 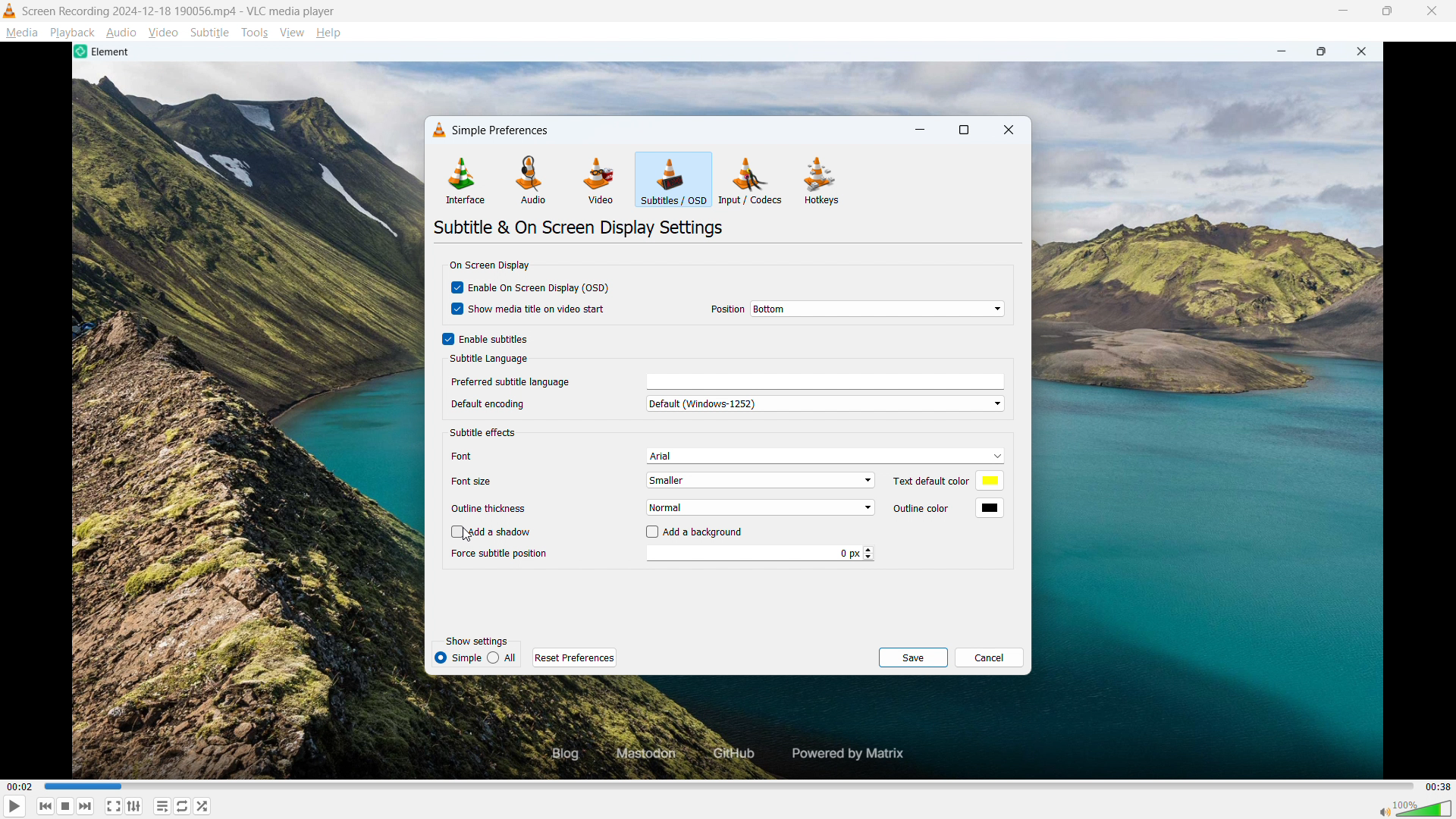 What do you see at coordinates (642, 754) in the screenshot?
I see `Mastodon` at bounding box center [642, 754].